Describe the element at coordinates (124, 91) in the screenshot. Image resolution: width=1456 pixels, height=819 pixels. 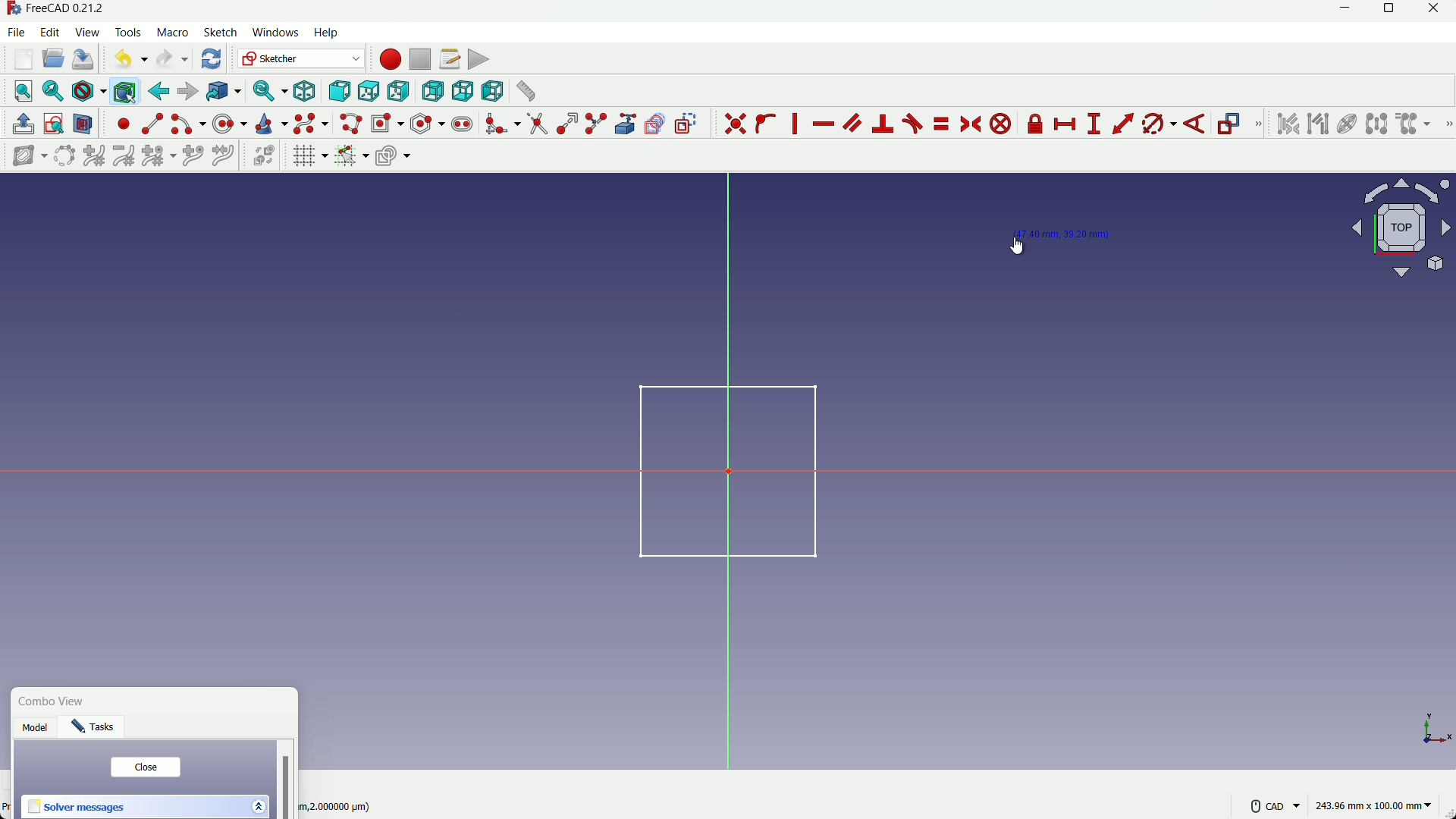
I see `bounding box` at that location.